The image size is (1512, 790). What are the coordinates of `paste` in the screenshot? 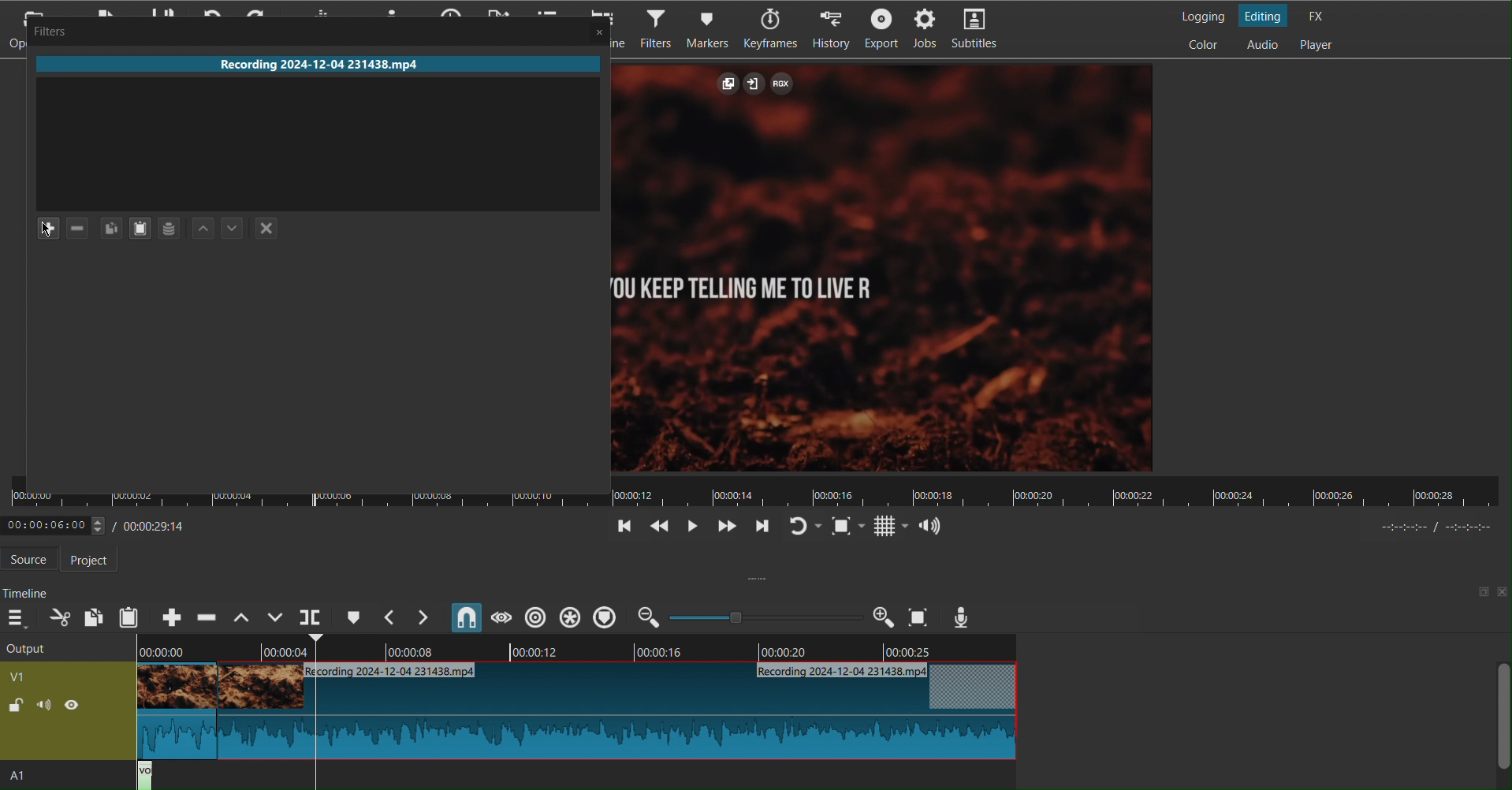 It's located at (141, 229).